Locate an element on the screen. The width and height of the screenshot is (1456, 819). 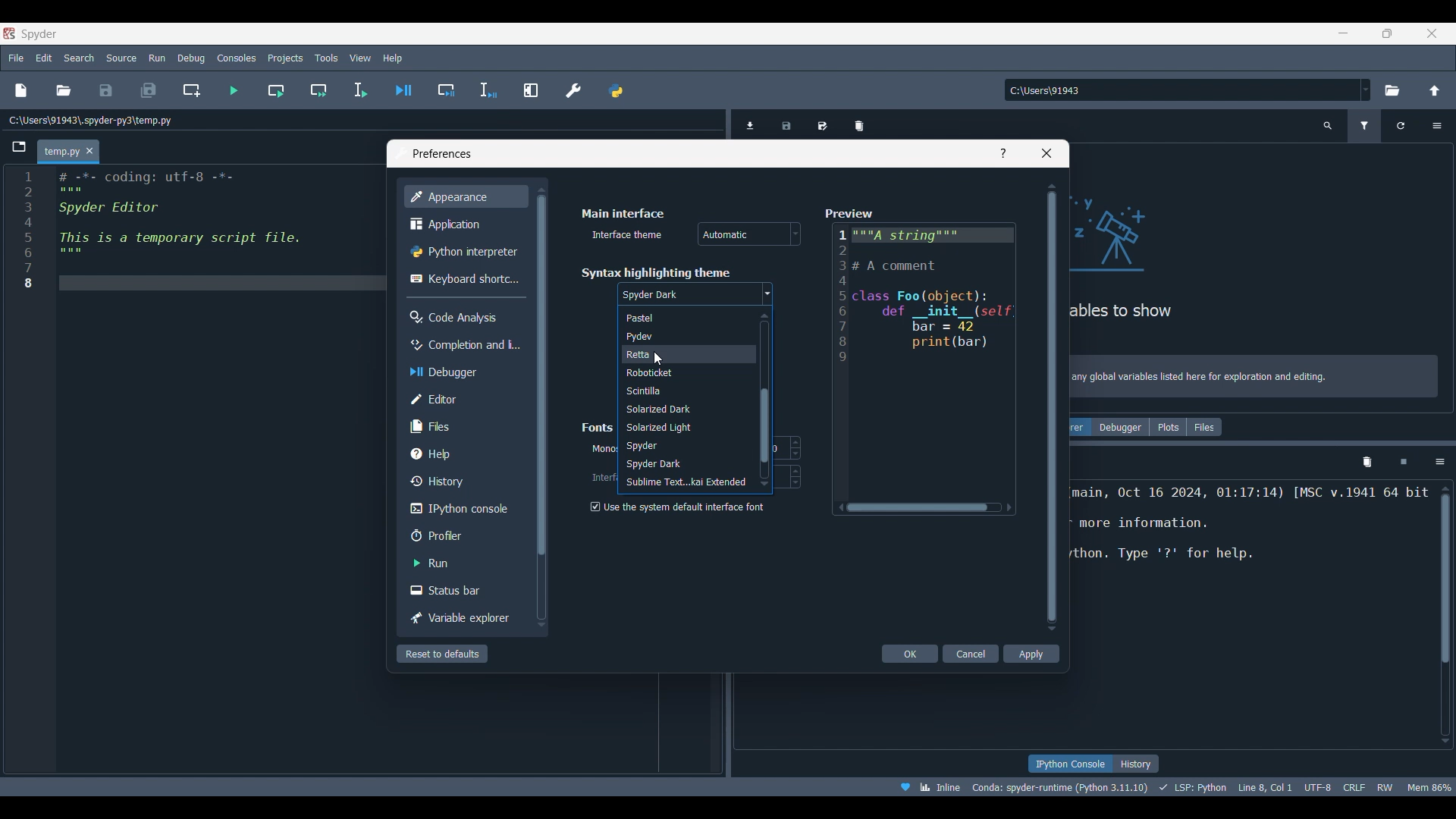
File menu is located at coordinates (16, 55).